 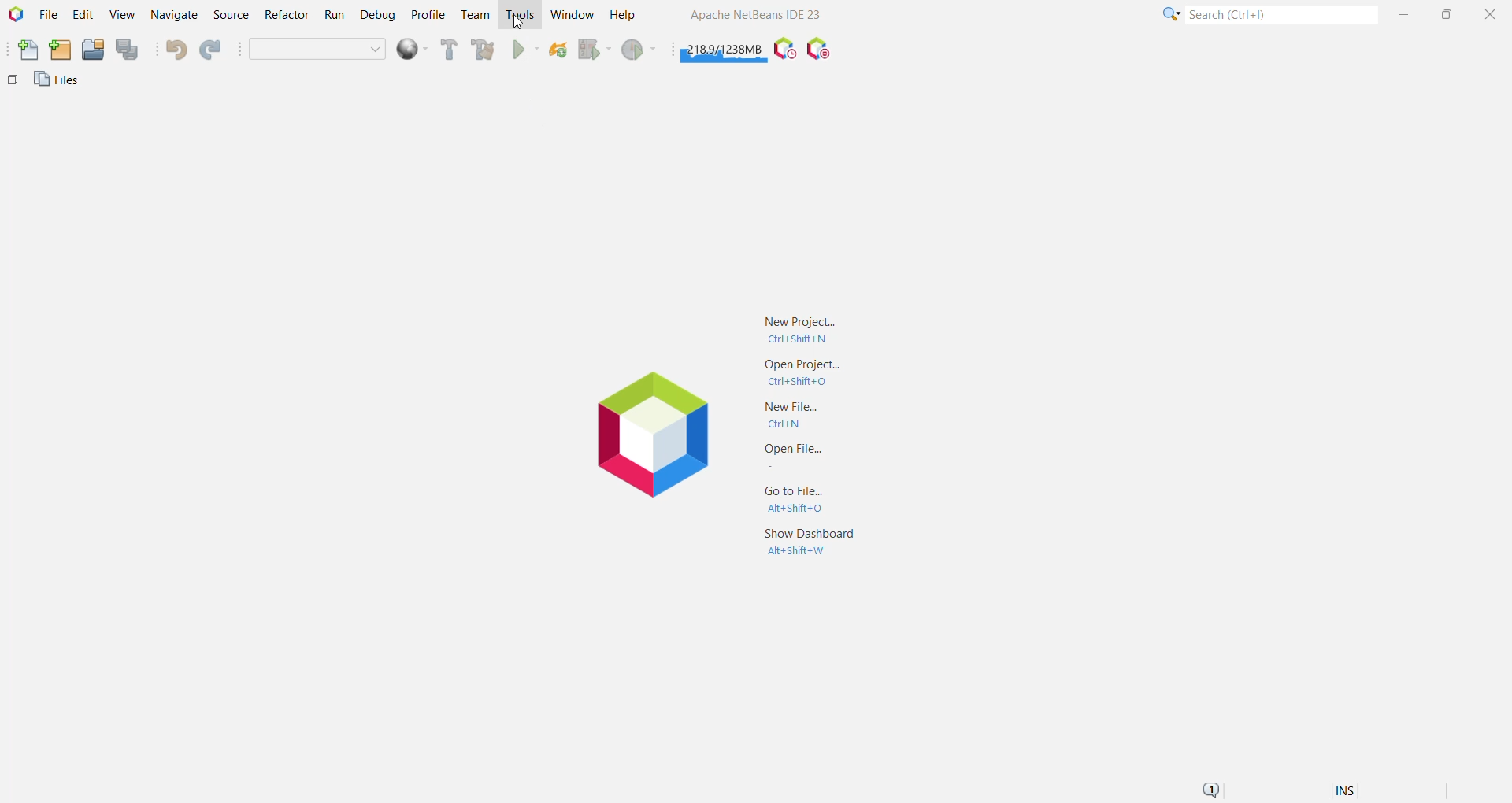 I want to click on Debug , so click(x=376, y=16).